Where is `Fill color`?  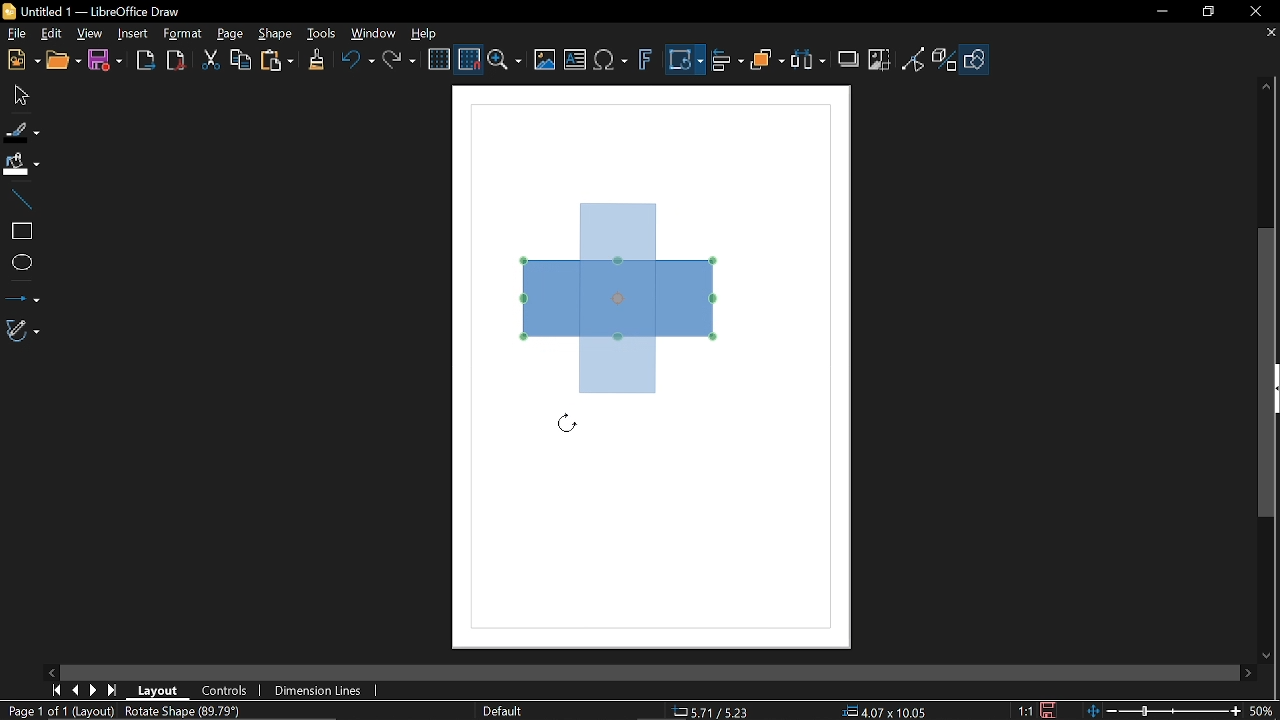 Fill color is located at coordinates (20, 165).